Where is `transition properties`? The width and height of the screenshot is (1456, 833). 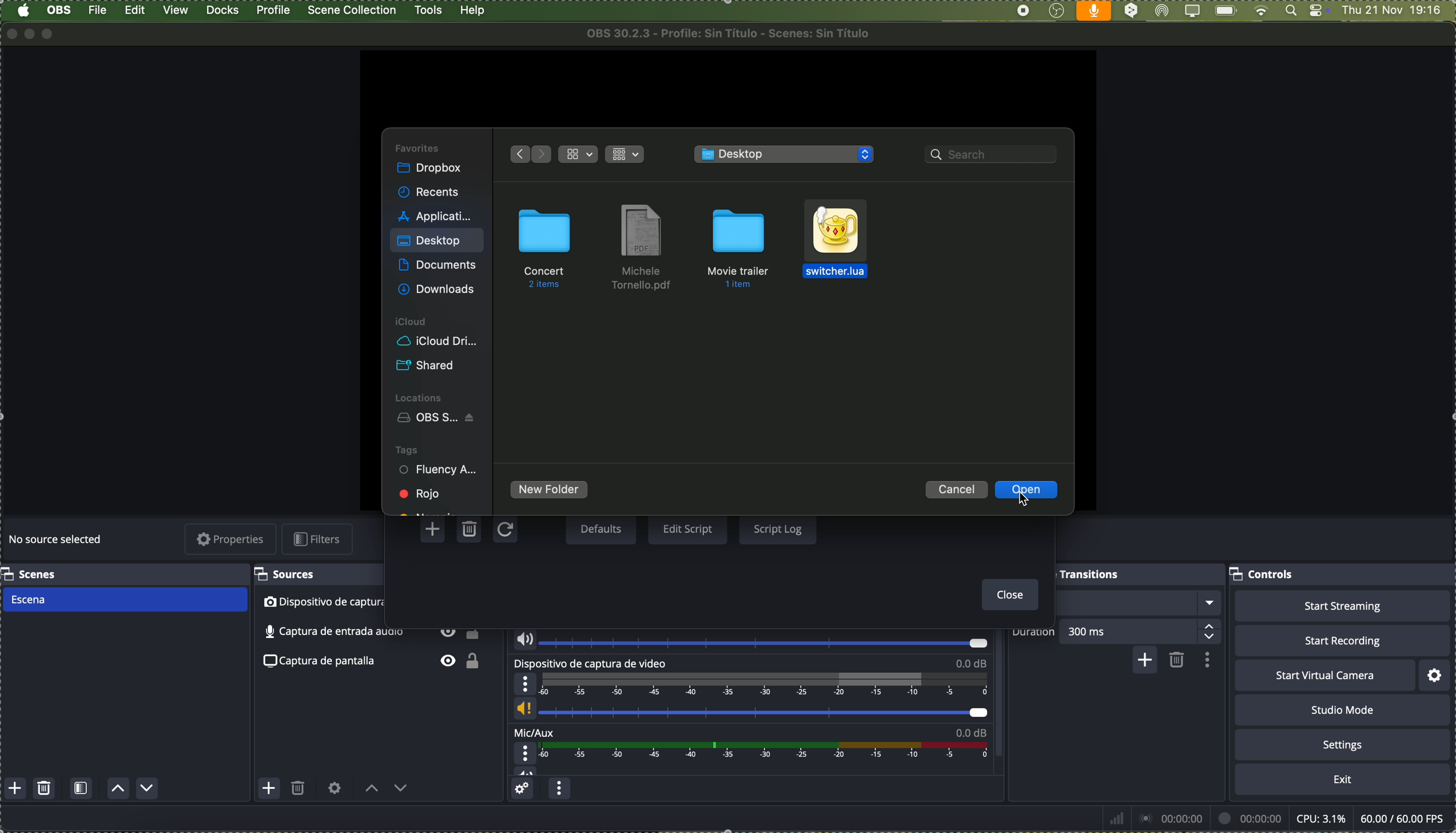
transition properties is located at coordinates (1206, 660).